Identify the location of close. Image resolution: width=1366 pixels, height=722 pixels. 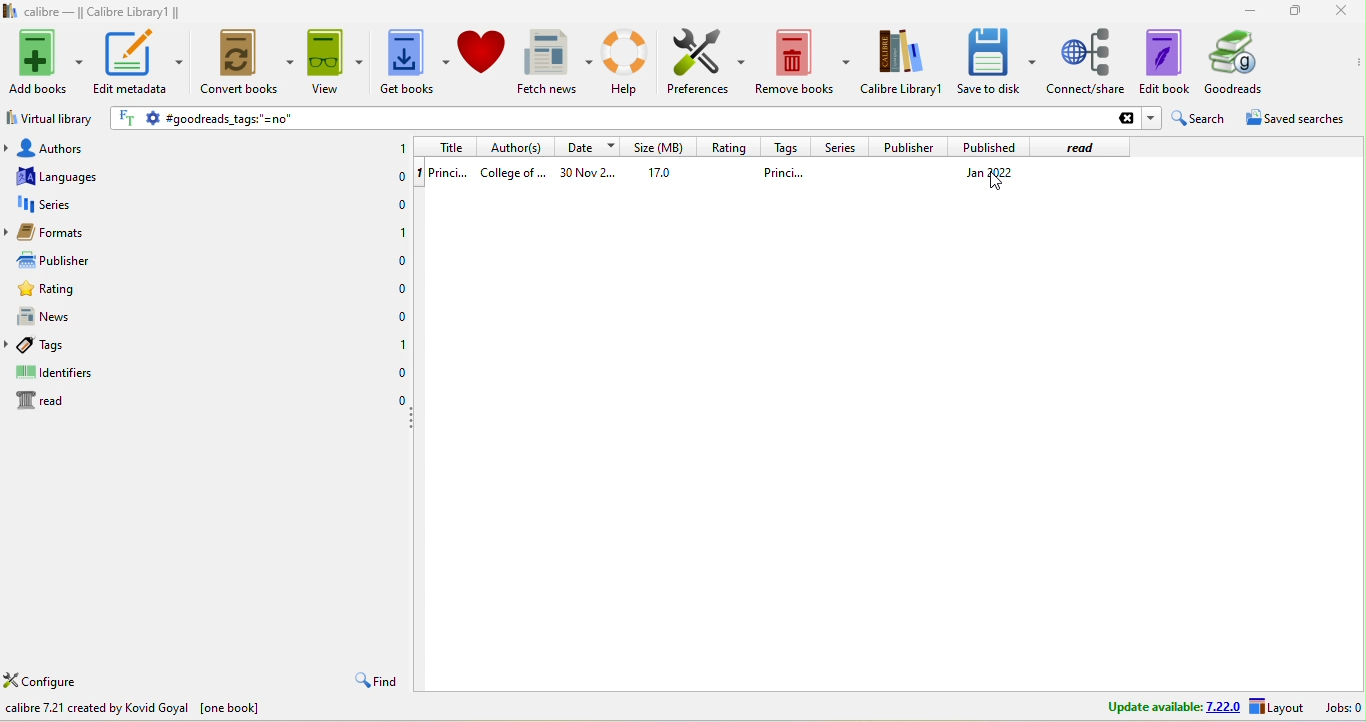
(1339, 11).